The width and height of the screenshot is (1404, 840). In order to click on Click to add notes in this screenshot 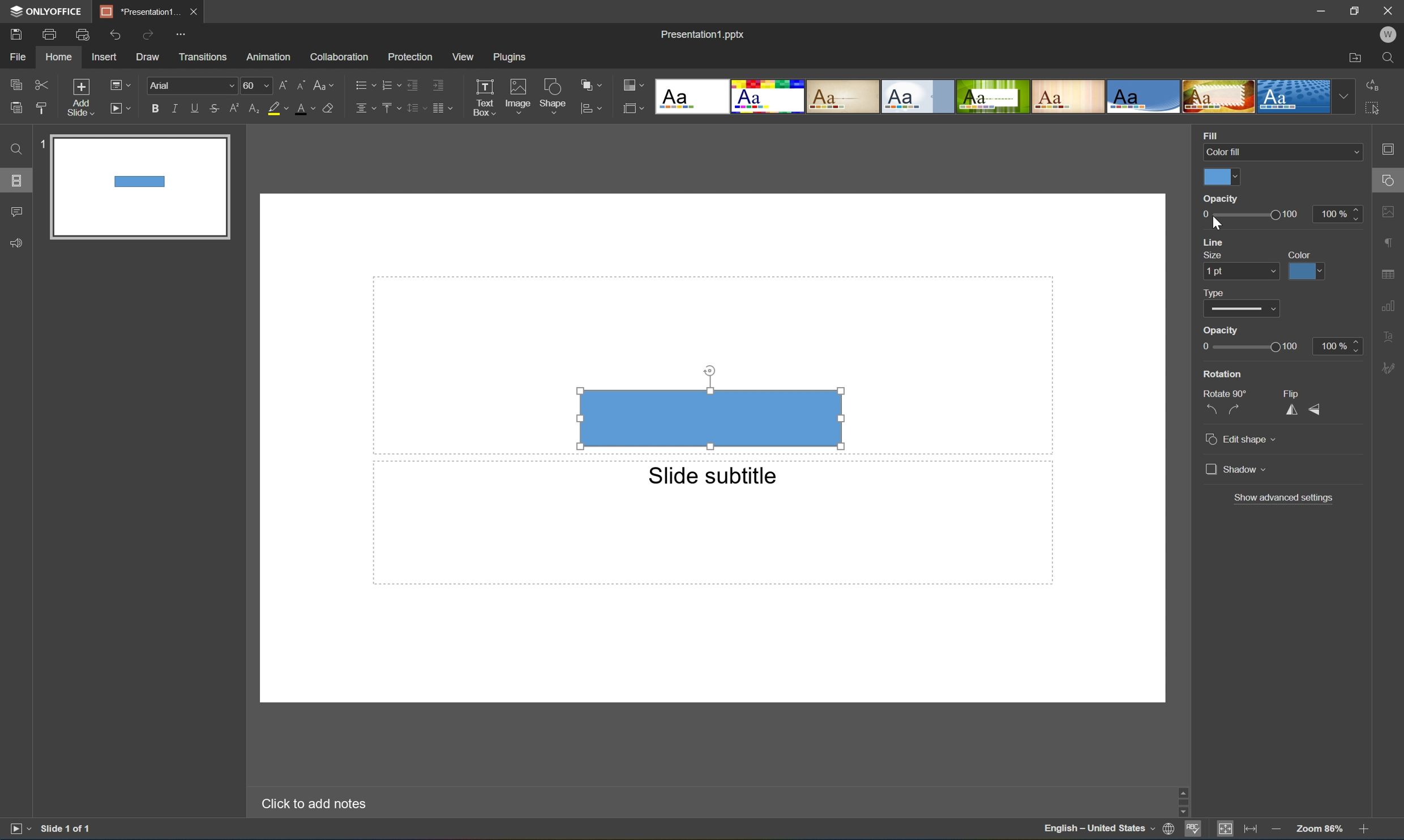, I will do `click(310, 804)`.